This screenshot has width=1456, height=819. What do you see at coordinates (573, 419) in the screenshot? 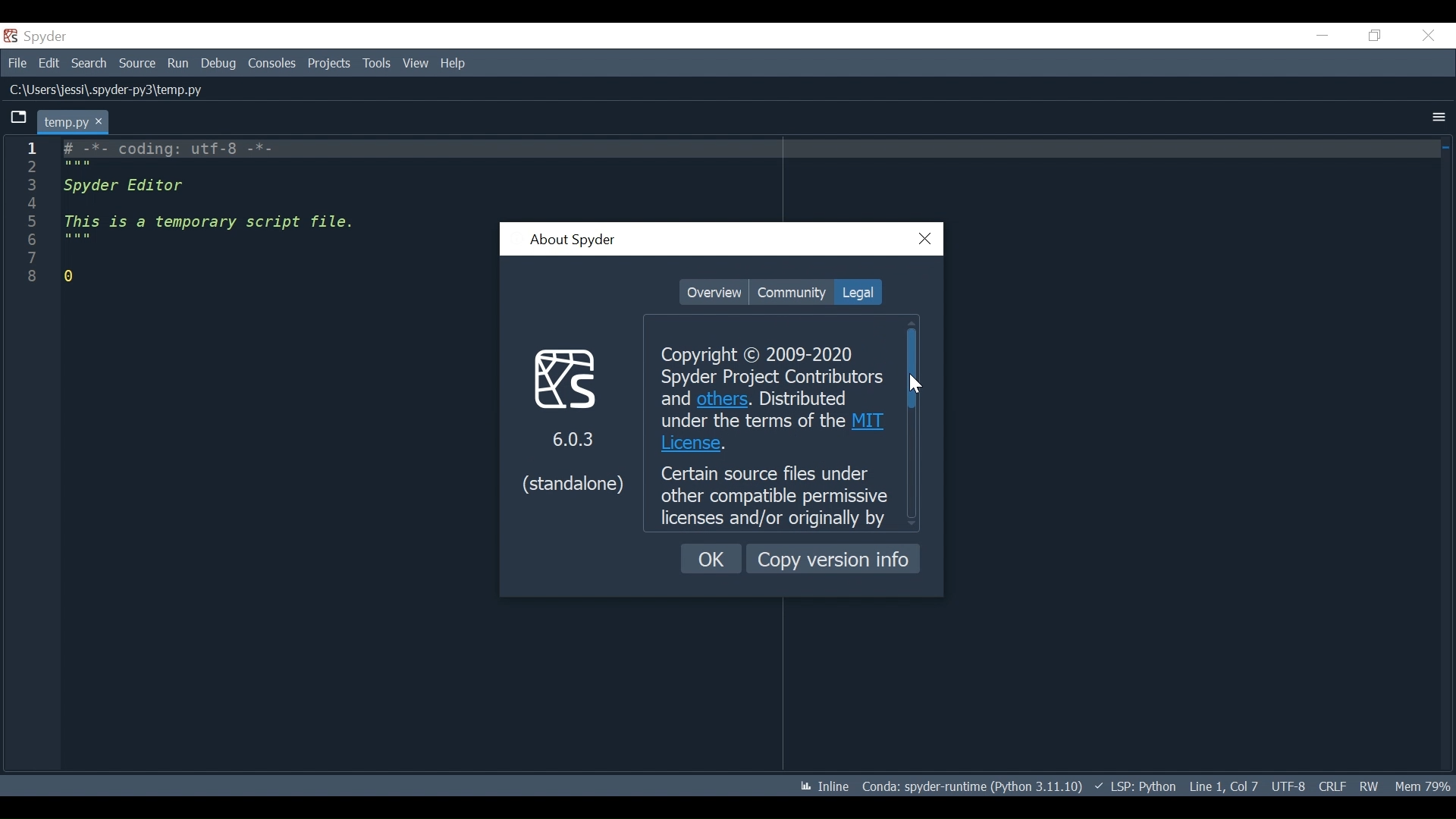
I see `6.0.3 (standalone)` at bounding box center [573, 419].